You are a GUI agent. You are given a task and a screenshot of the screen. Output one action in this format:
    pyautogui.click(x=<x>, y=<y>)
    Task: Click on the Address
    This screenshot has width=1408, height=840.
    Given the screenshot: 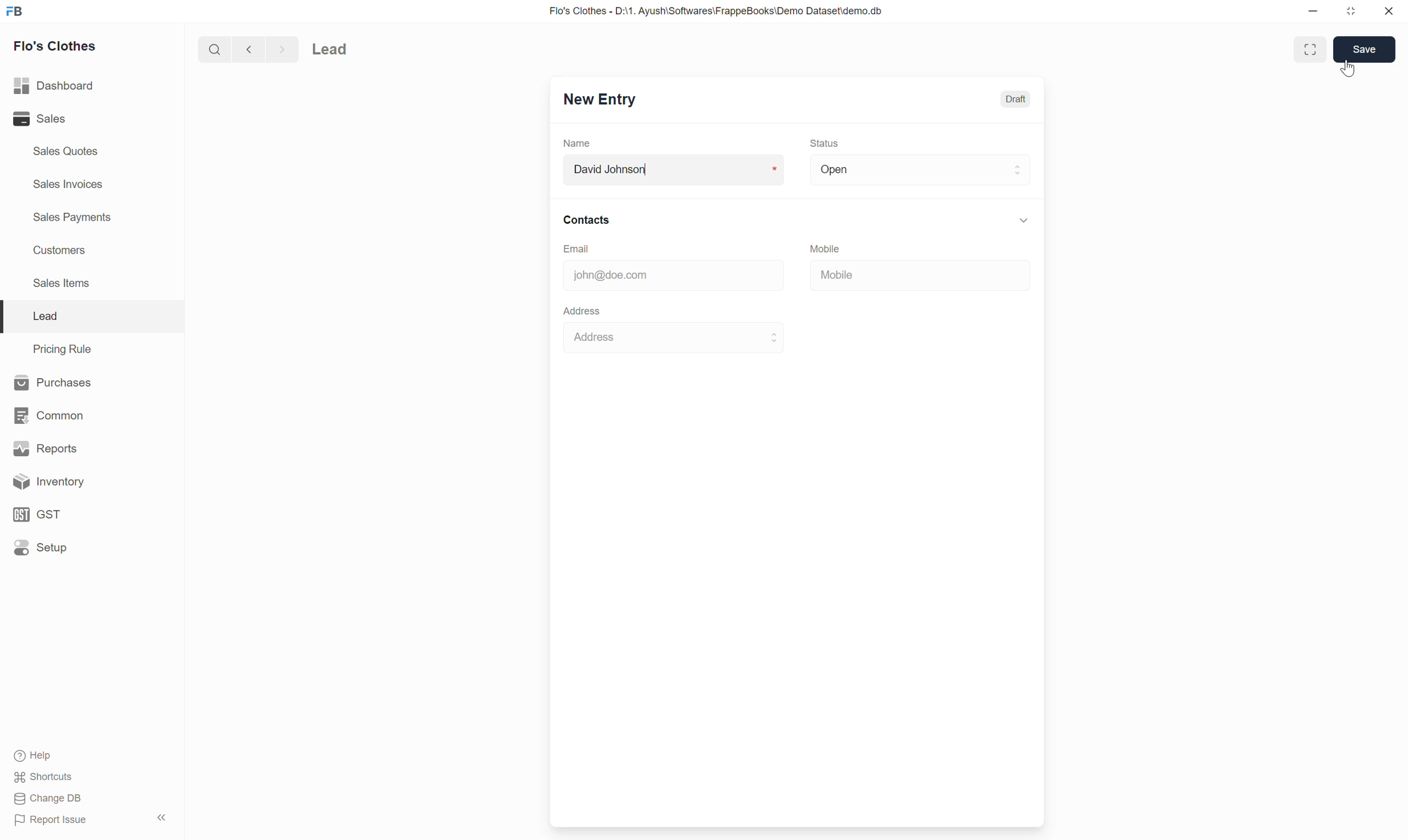 What is the action you would take?
    pyautogui.click(x=580, y=310)
    